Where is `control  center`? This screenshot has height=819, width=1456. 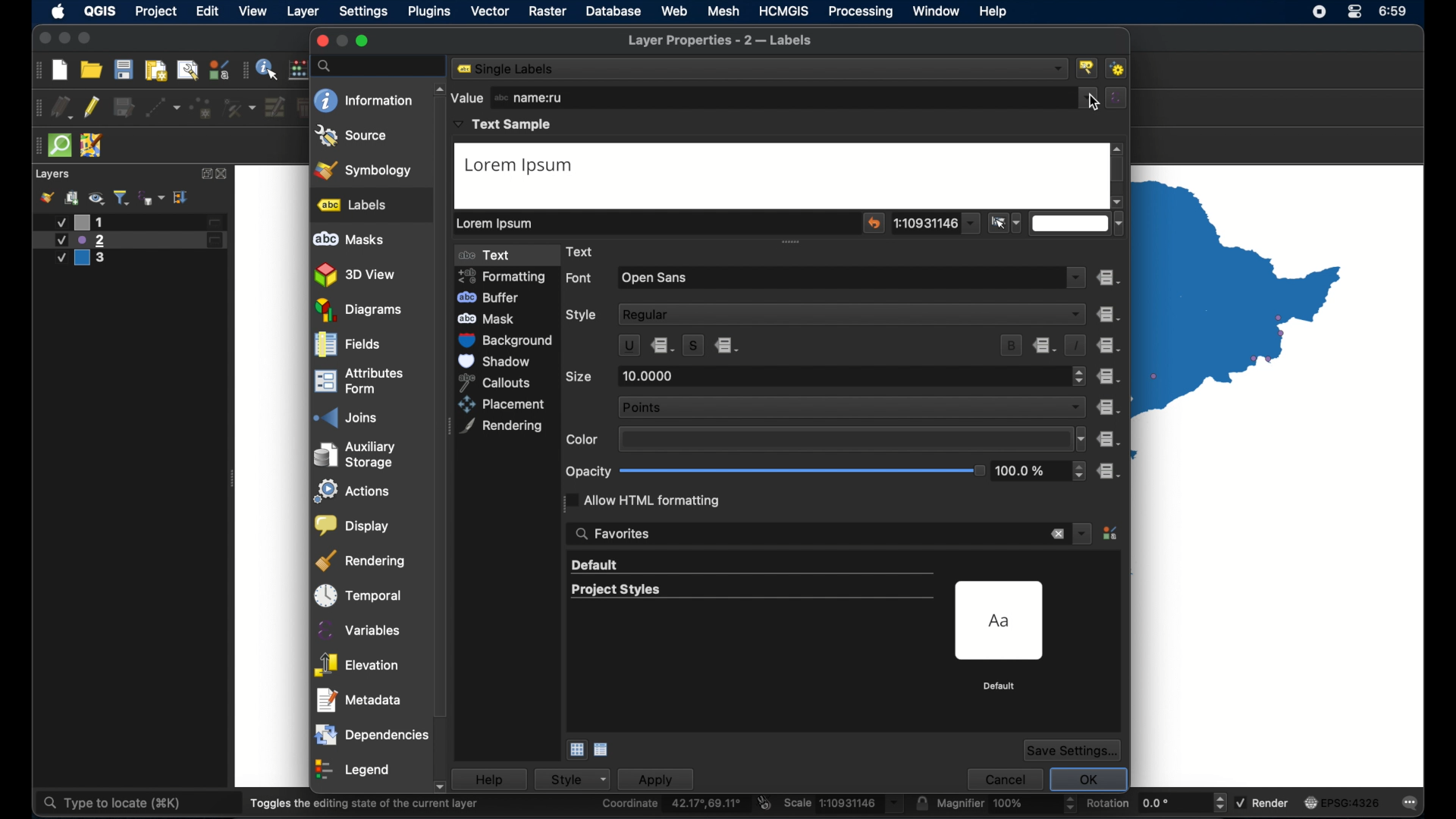 control  center is located at coordinates (1317, 13).